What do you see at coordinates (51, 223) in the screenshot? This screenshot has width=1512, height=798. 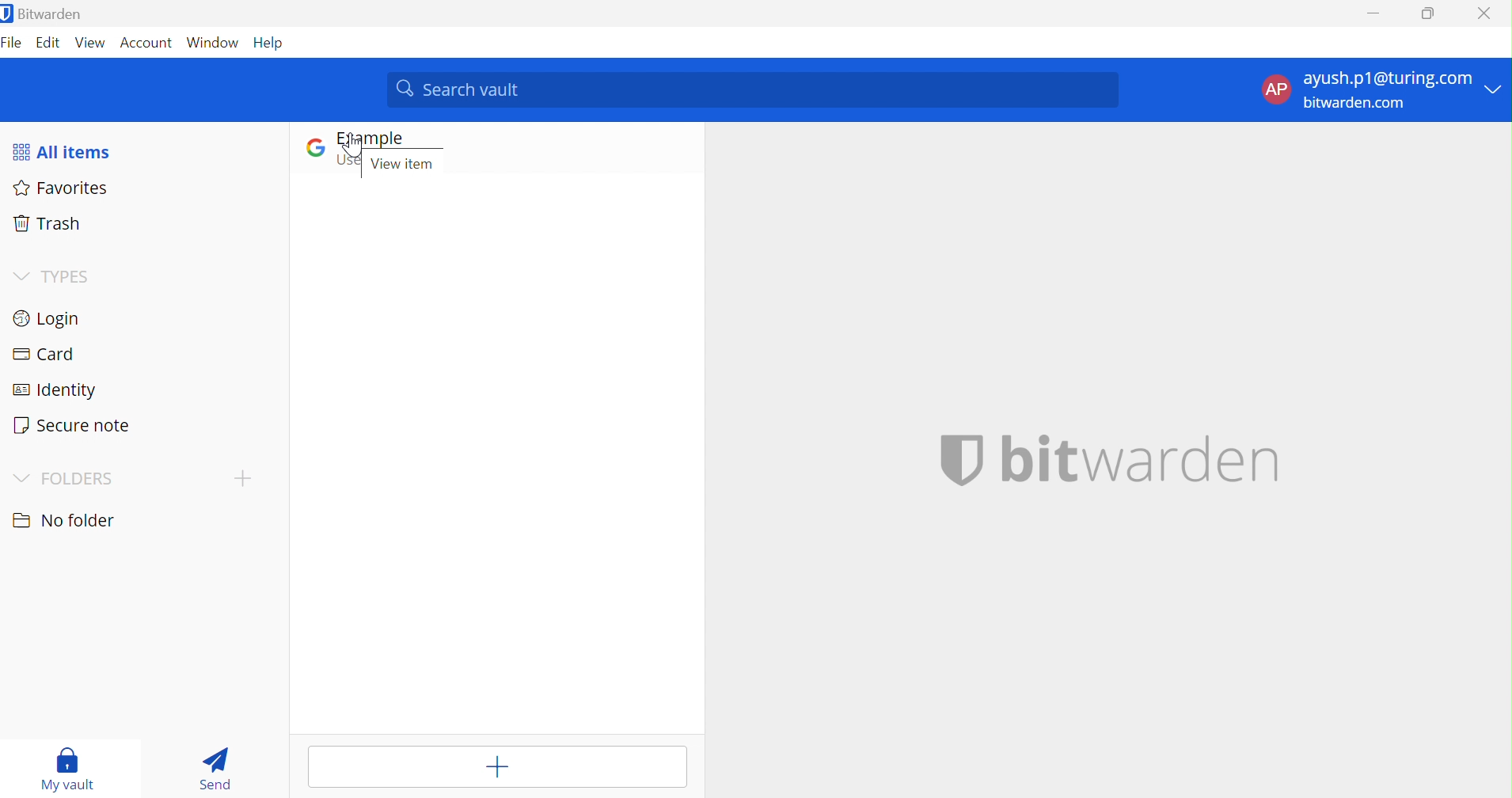 I see `` at bounding box center [51, 223].